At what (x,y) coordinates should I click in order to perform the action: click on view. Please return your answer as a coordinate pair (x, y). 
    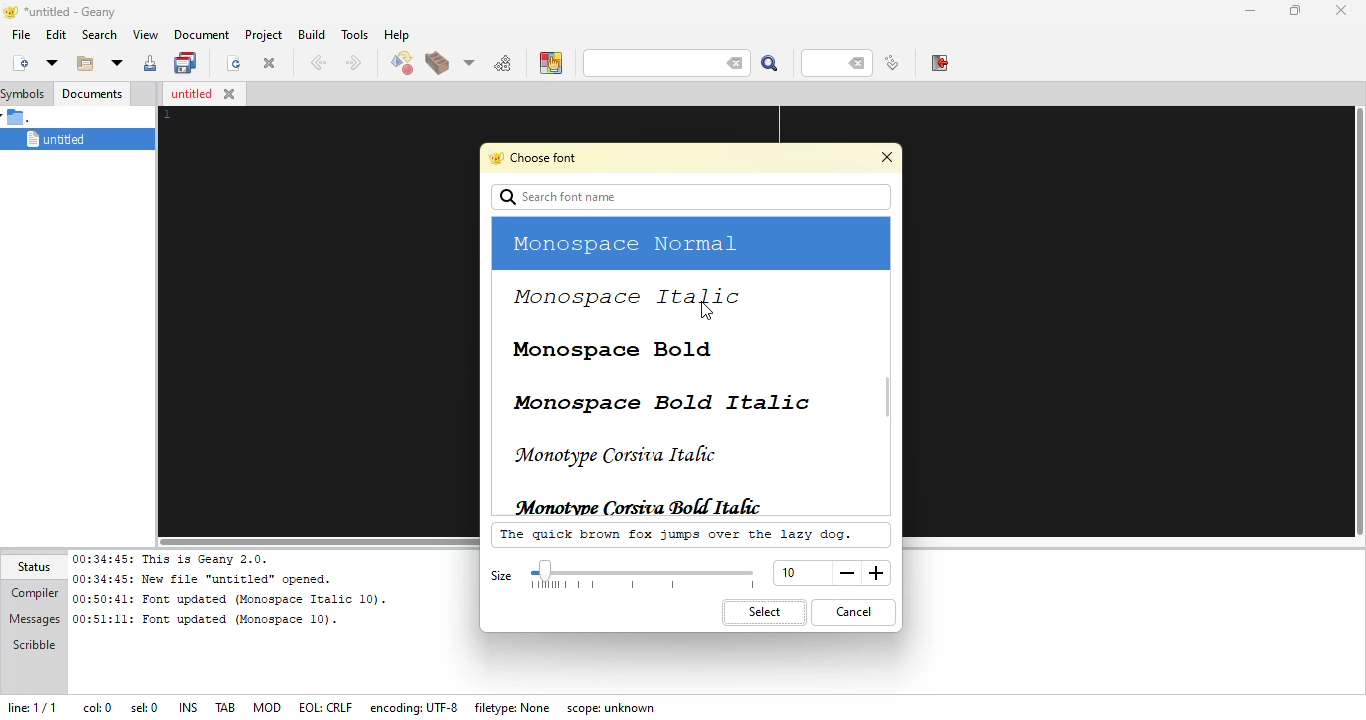
    Looking at the image, I should click on (148, 34).